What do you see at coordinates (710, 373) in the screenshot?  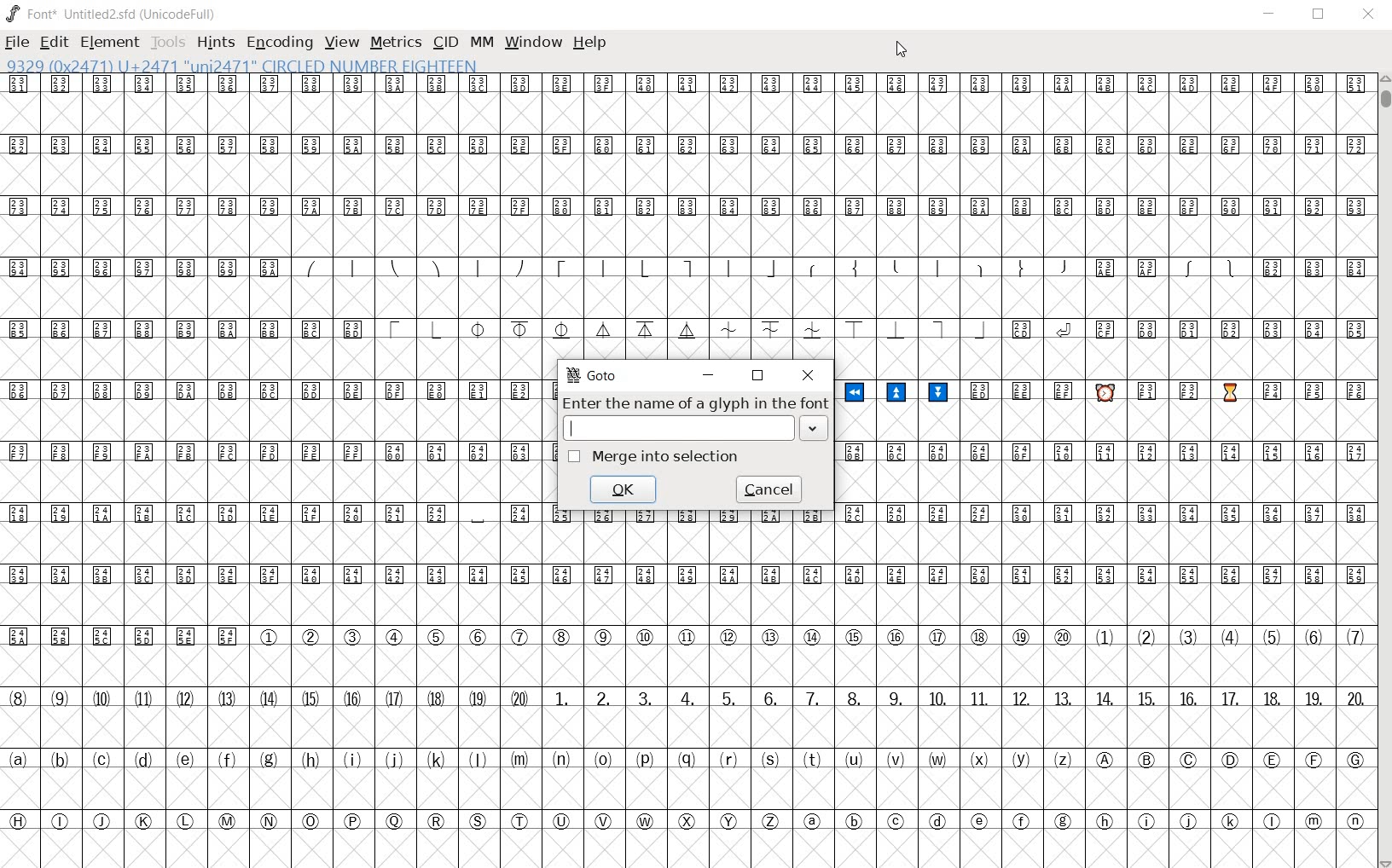 I see `minimize` at bounding box center [710, 373].